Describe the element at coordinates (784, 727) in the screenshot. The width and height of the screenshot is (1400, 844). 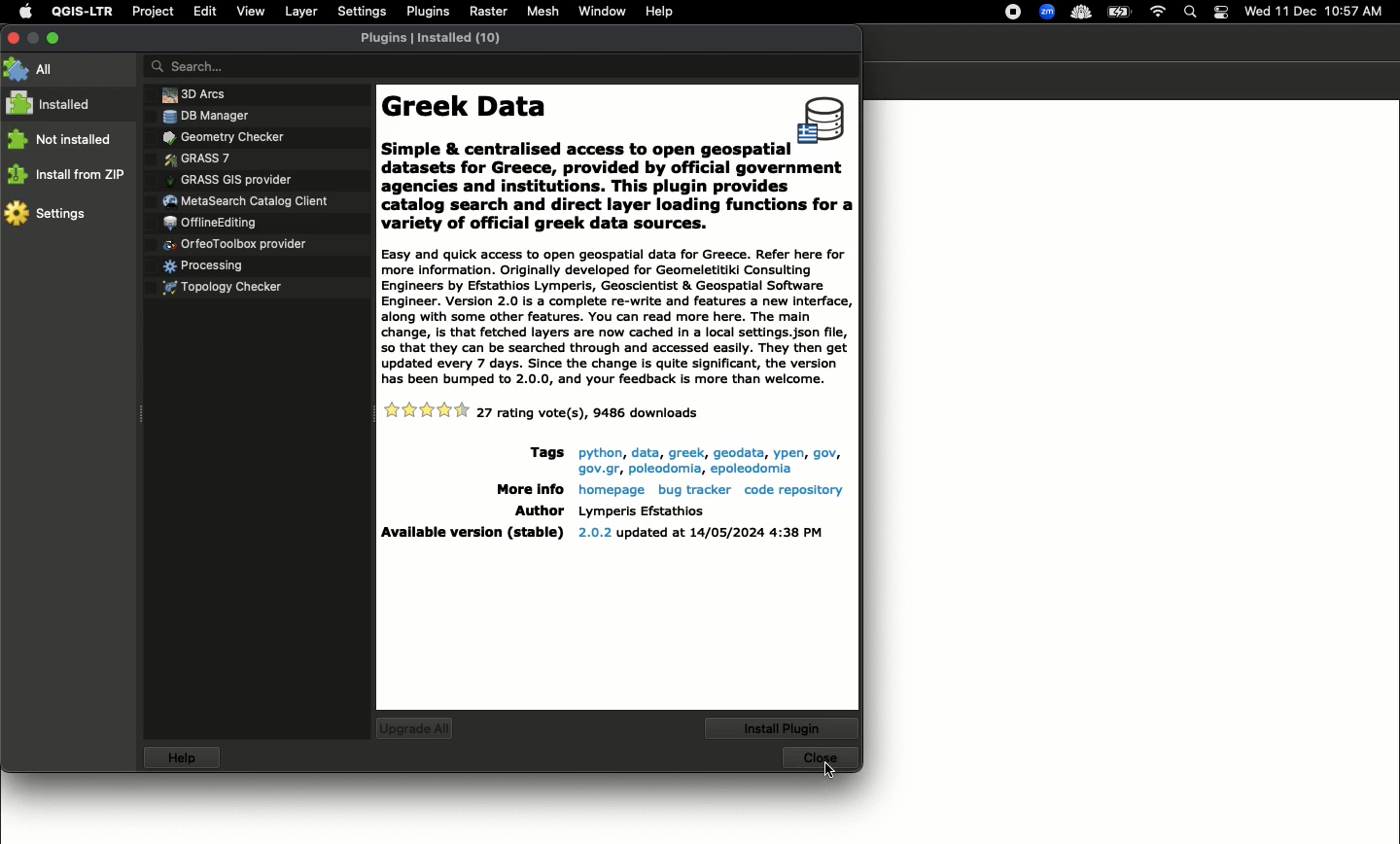
I see `Install plugin` at that location.